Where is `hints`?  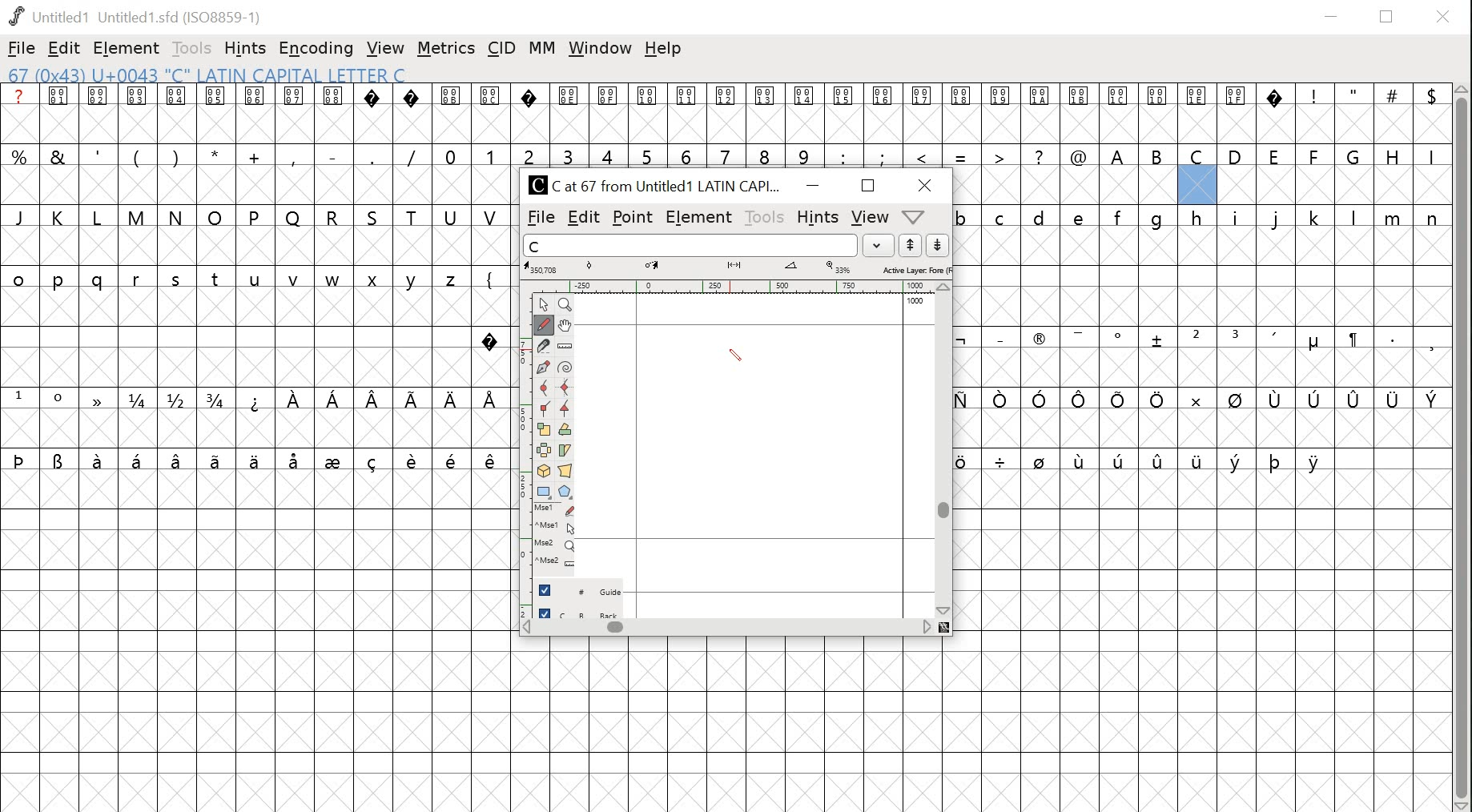
hints is located at coordinates (245, 48).